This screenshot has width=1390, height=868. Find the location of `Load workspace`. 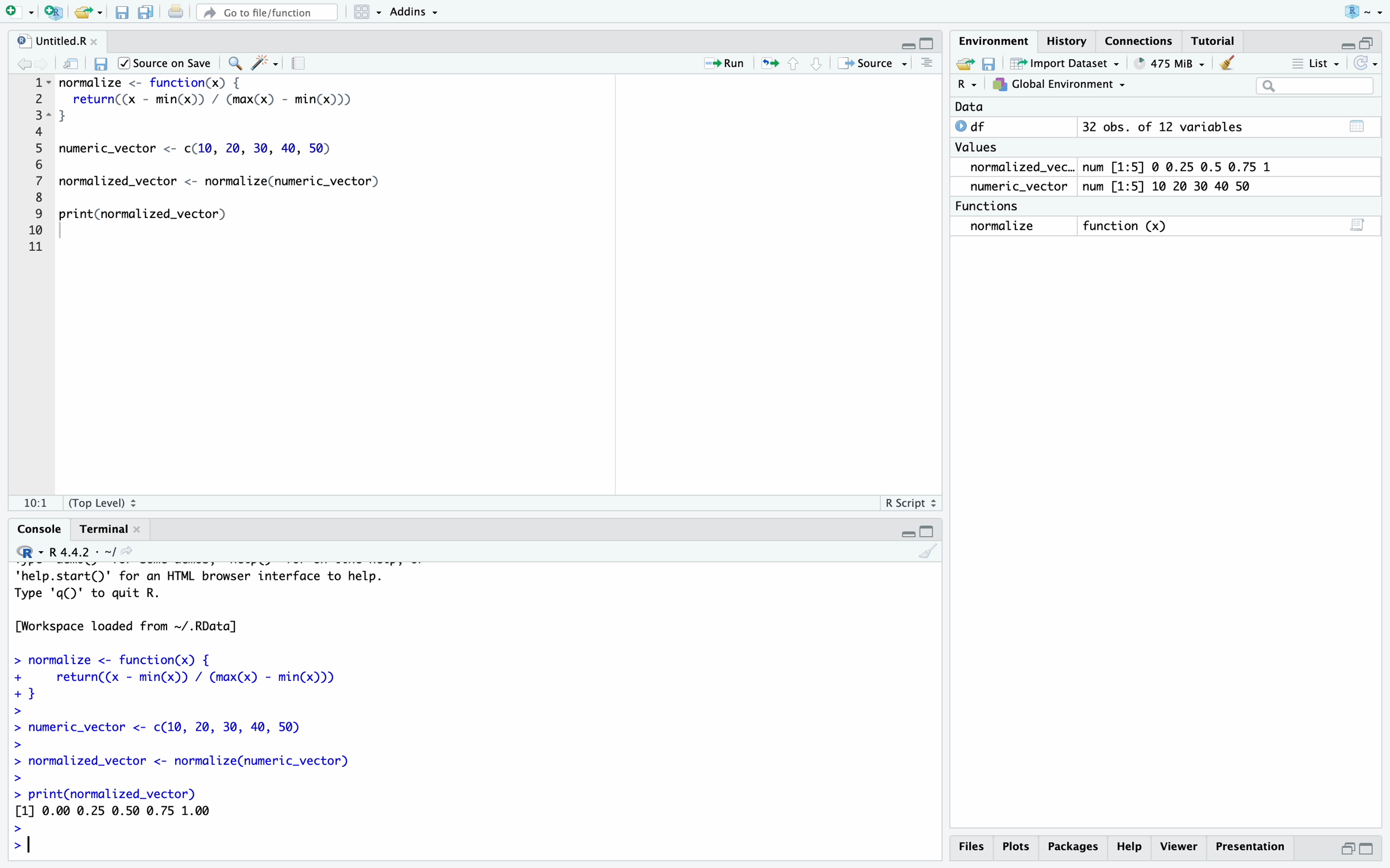

Load workspace is located at coordinates (964, 64).